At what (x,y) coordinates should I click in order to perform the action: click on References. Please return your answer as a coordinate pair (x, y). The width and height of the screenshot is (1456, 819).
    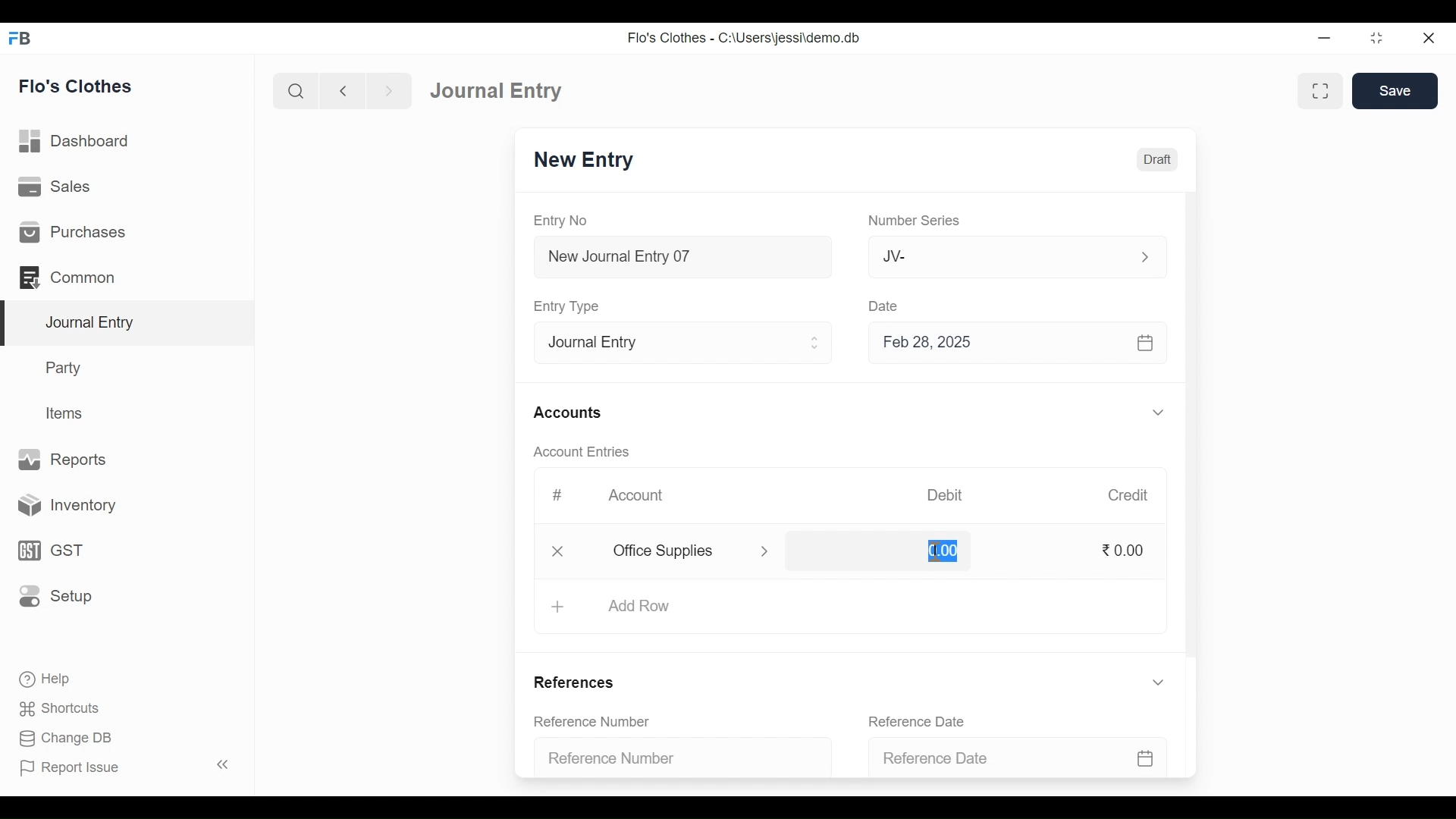
    Looking at the image, I should click on (579, 681).